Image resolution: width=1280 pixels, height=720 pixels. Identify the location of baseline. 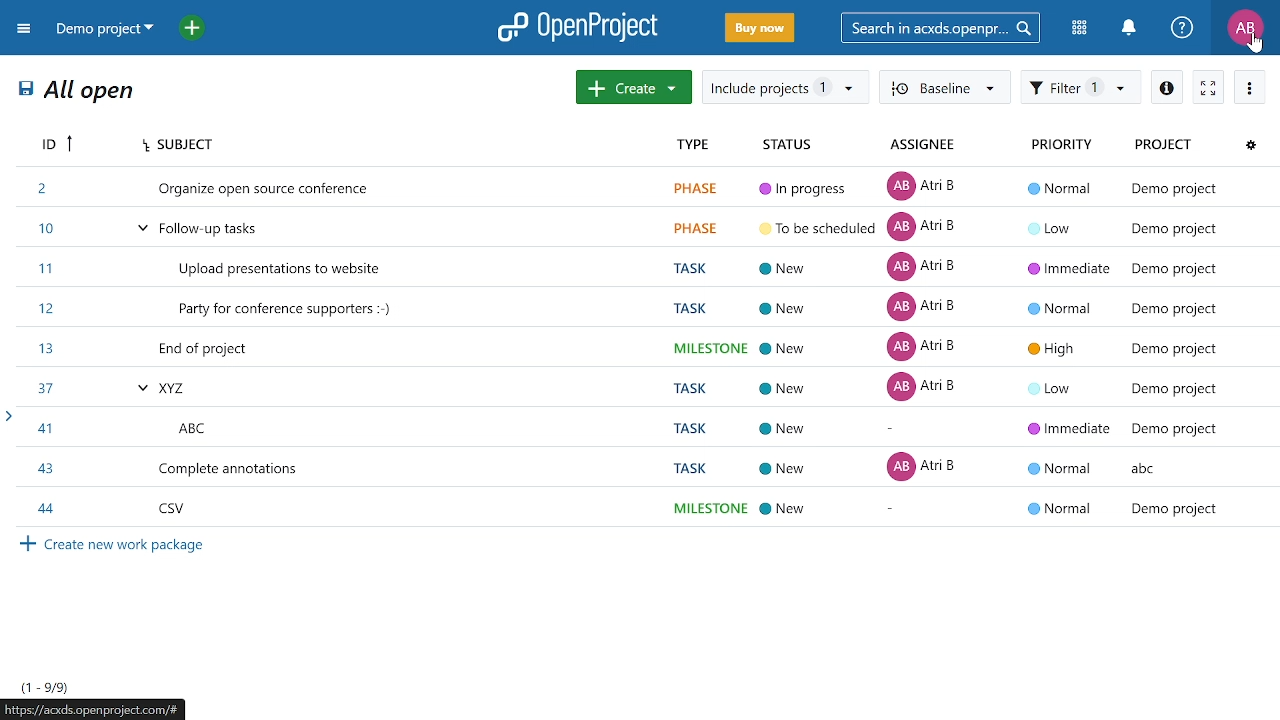
(943, 86).